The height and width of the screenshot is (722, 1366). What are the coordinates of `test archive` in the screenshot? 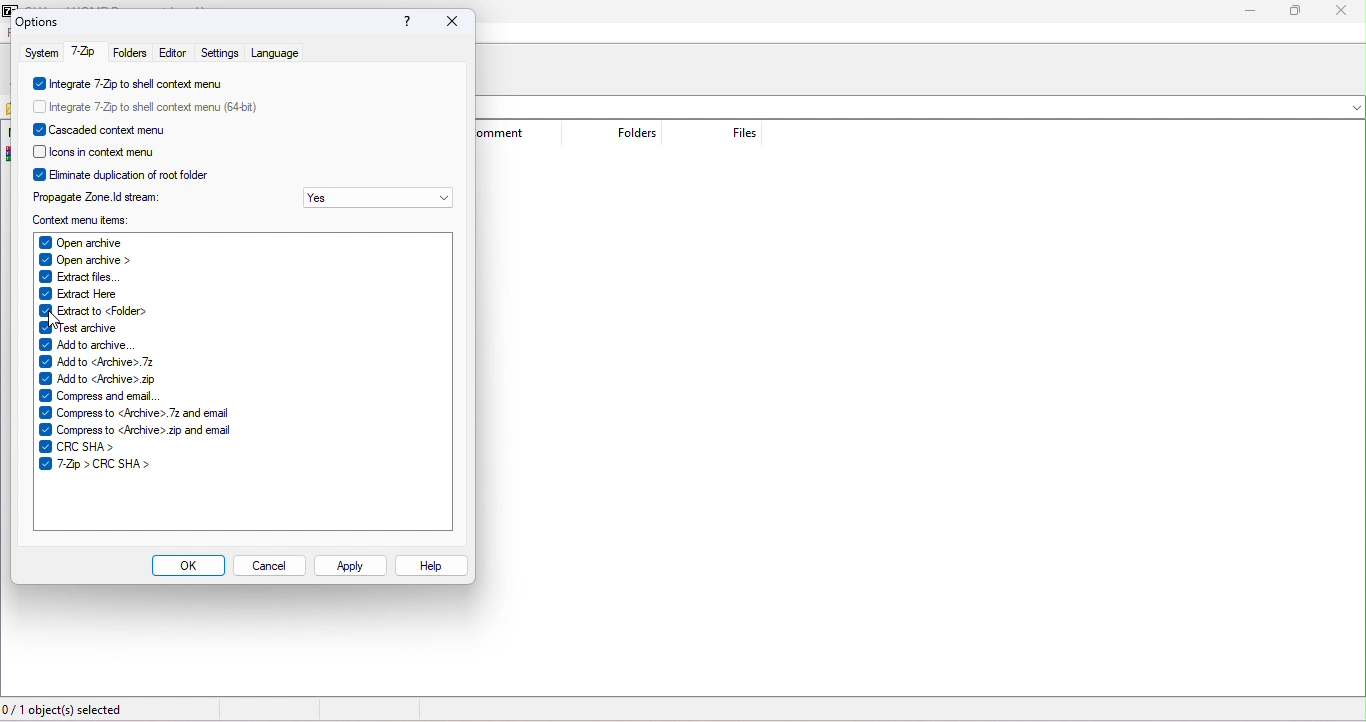 It's located at (81, 329).